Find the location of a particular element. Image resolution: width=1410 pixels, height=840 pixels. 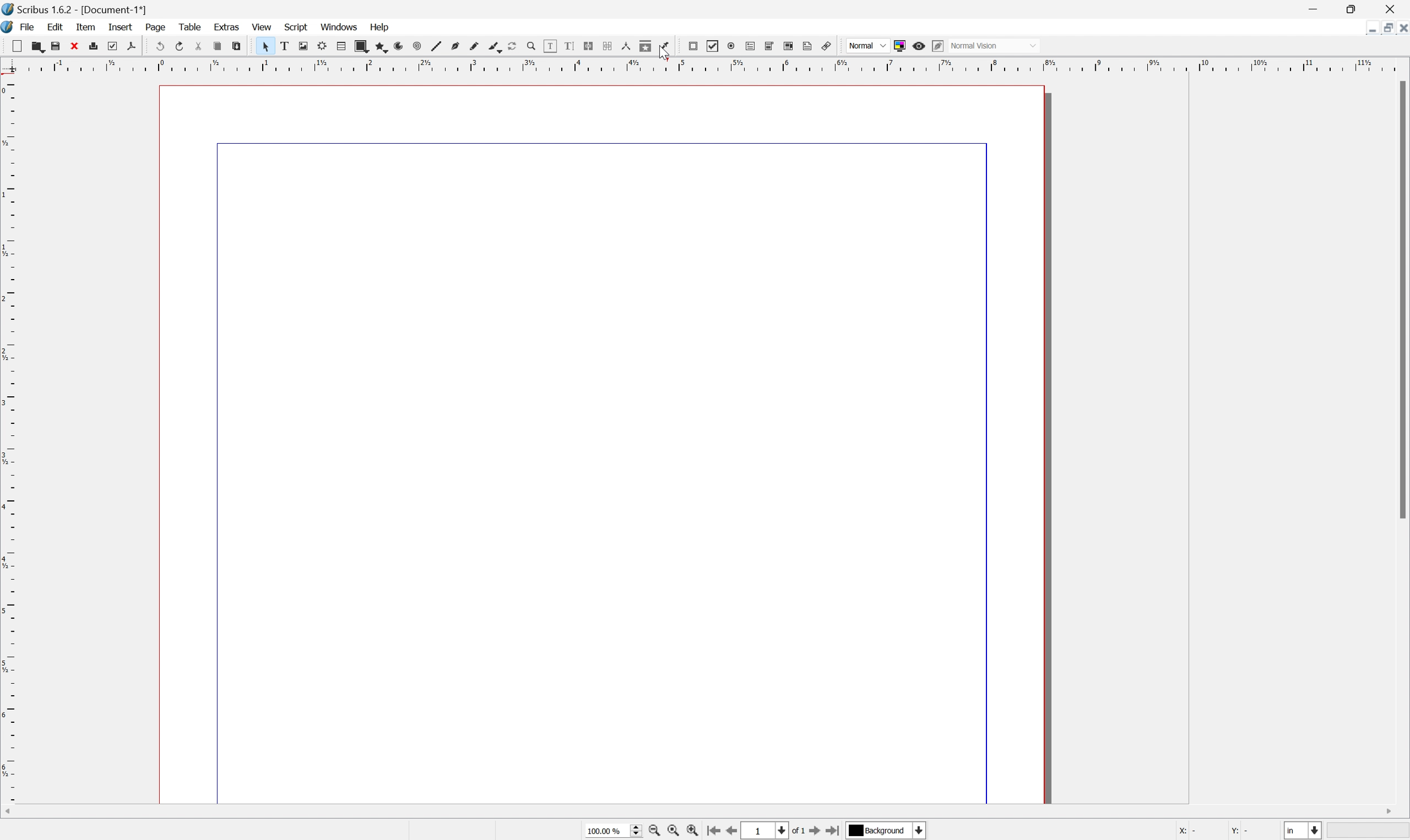

Go to first page is located at coordinates (715, 830).